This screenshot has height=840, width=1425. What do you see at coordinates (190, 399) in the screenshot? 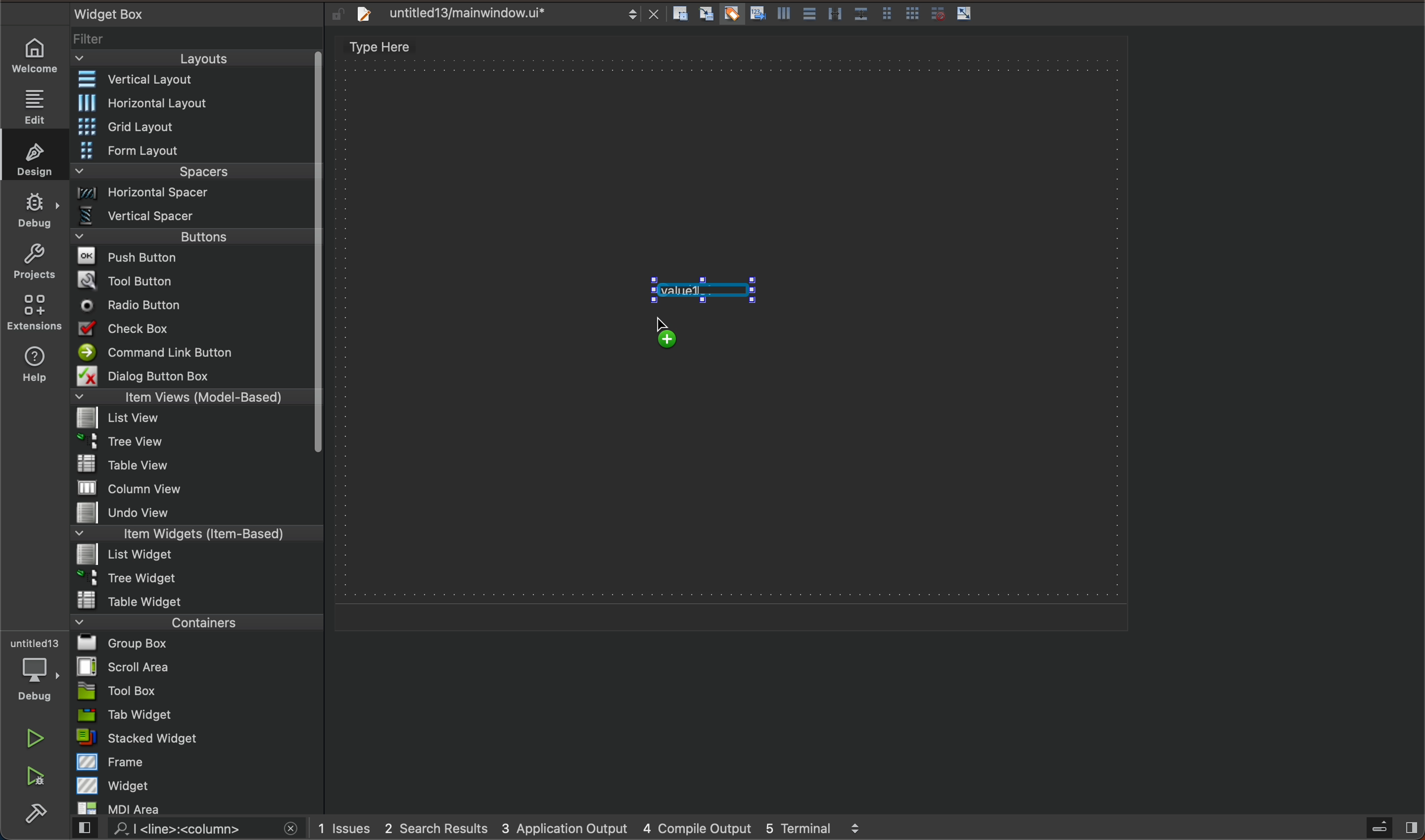
I see `item views` at bounding box center [190, 399].